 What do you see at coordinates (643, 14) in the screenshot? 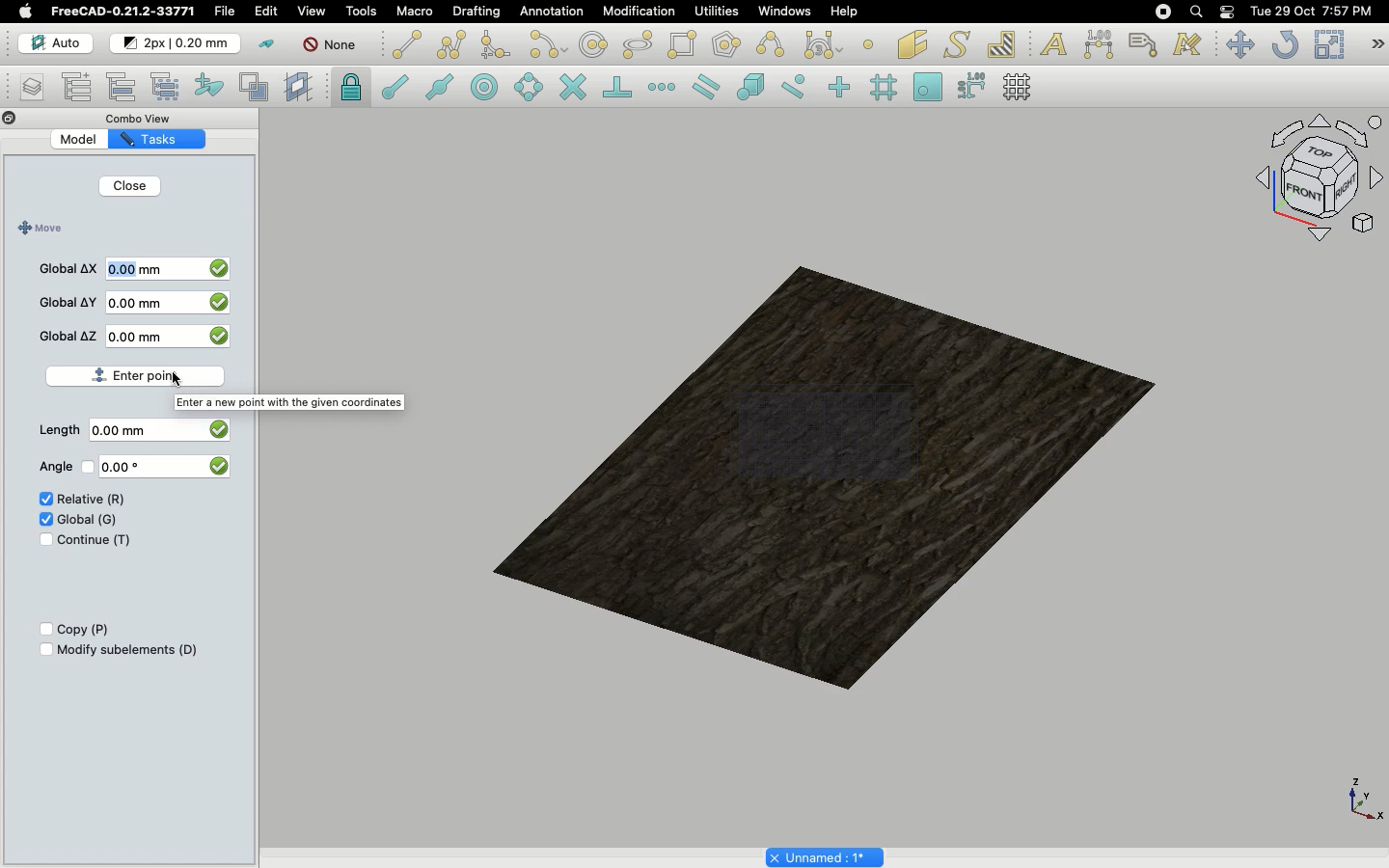
I see `Modification` at bounding box center [643, 14].